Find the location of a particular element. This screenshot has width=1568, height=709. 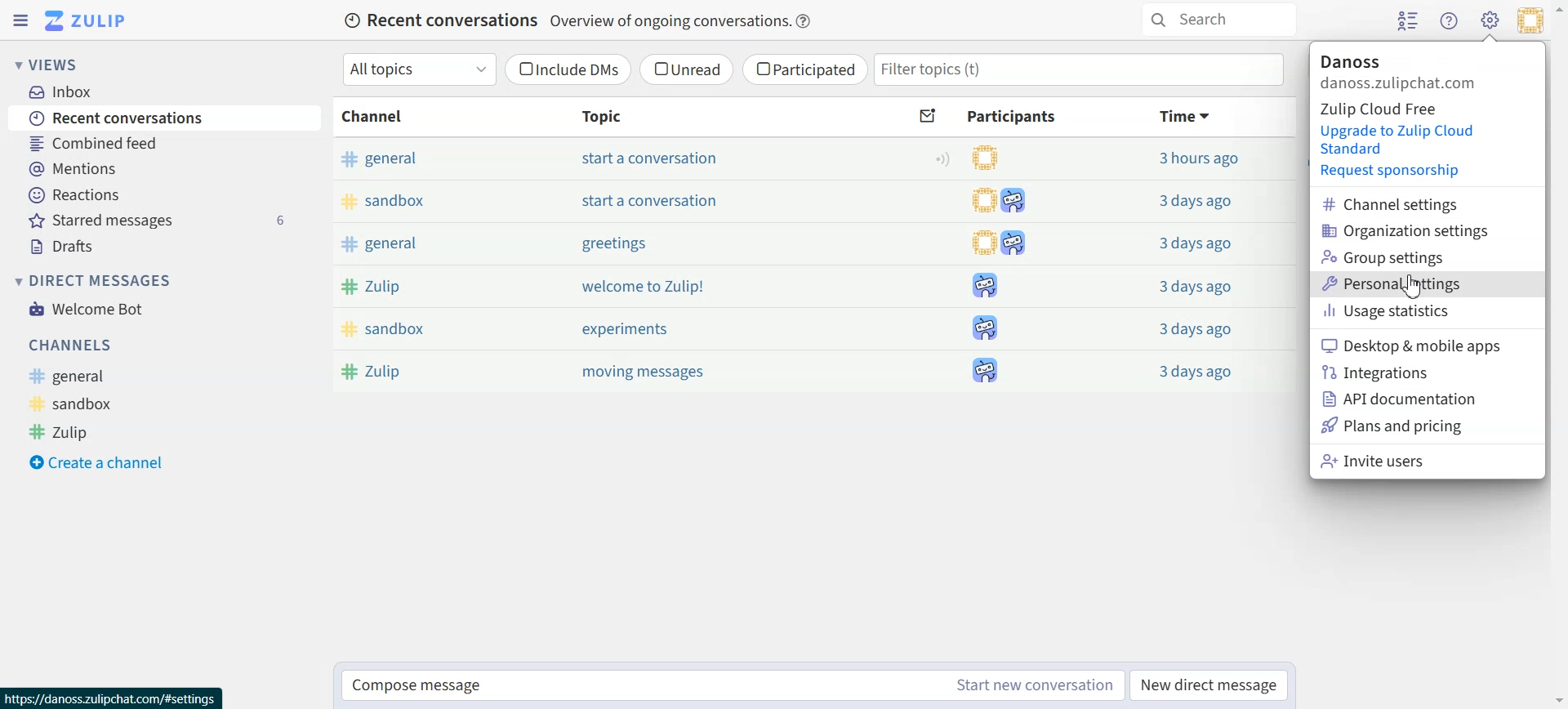

participants is located at coordinates (984, 370).